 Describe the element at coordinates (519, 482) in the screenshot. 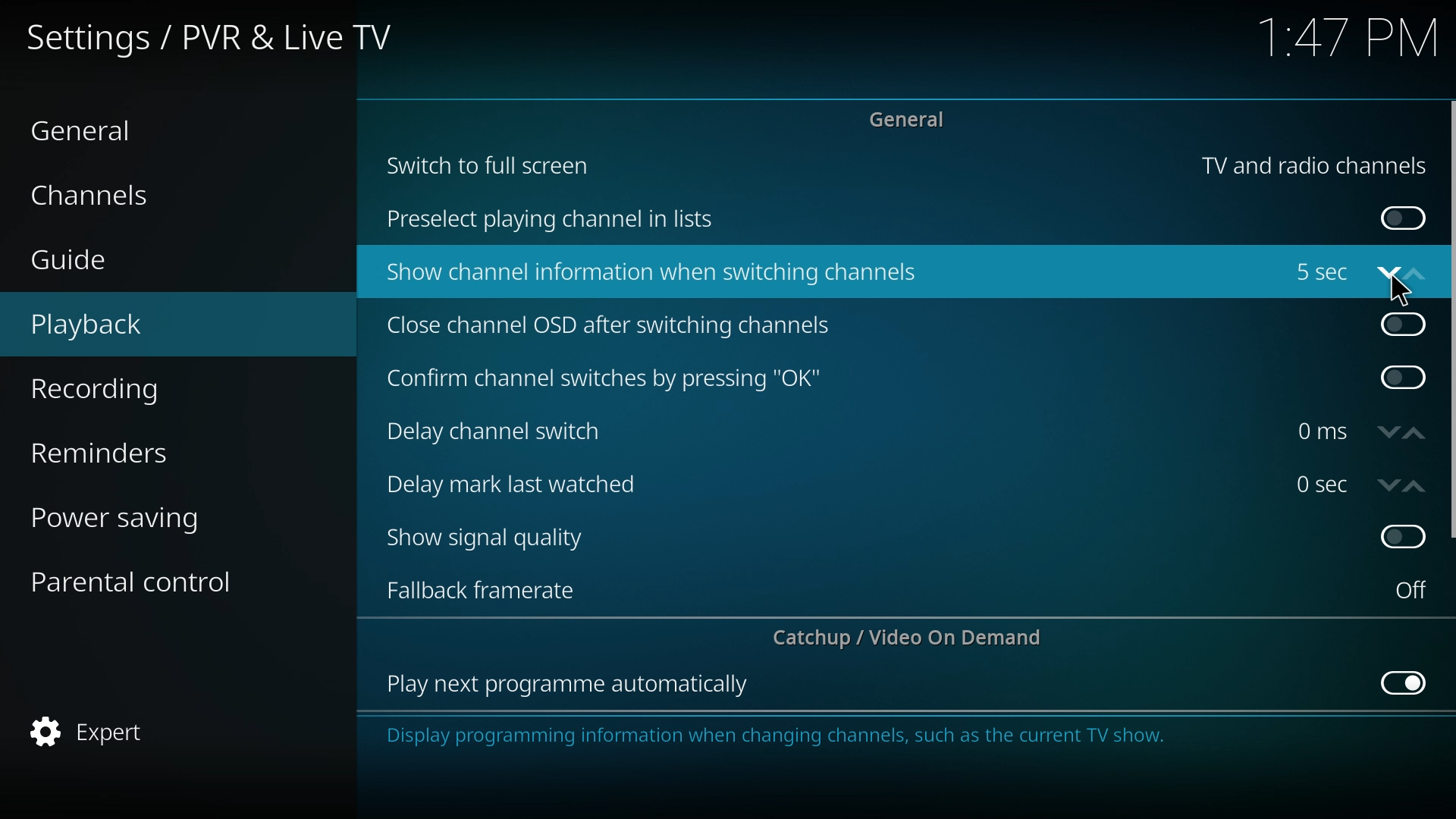

I see `delay mark last watched` at that location.